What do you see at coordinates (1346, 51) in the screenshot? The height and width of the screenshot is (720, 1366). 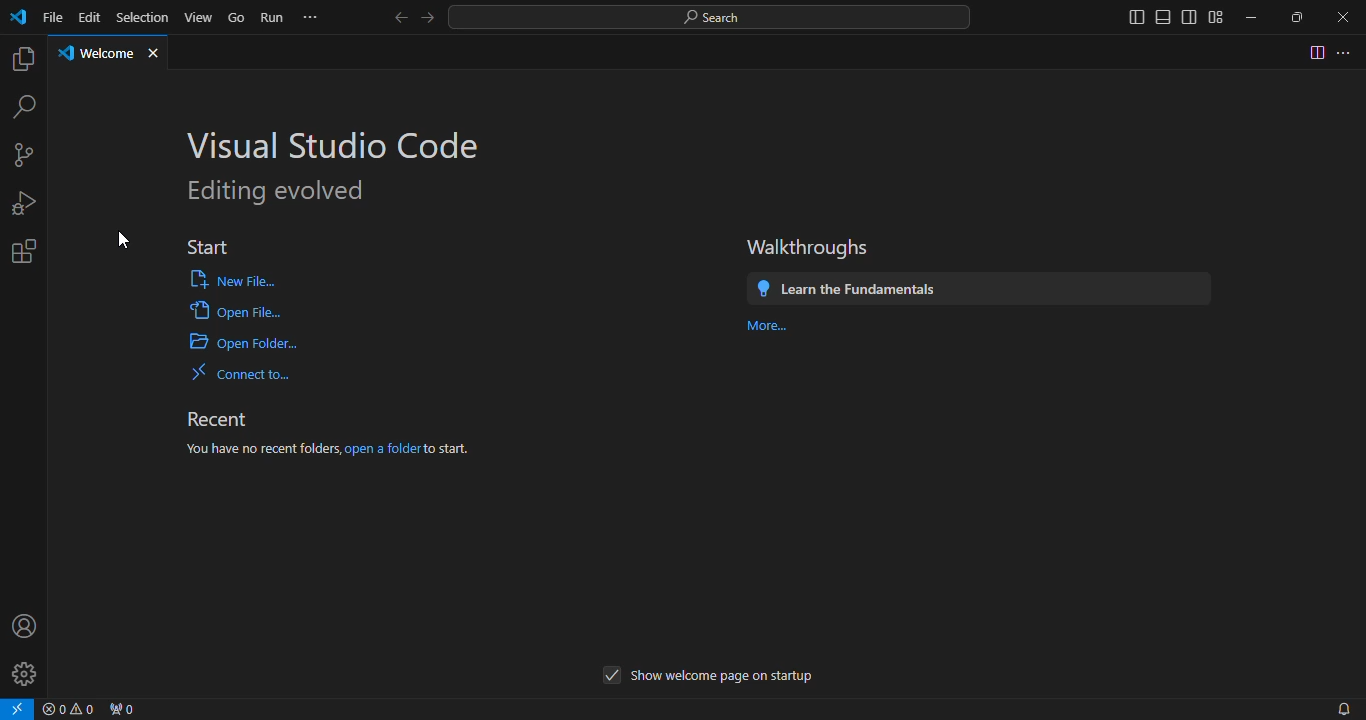 I see `more options` at bounding box center [1346, 51].